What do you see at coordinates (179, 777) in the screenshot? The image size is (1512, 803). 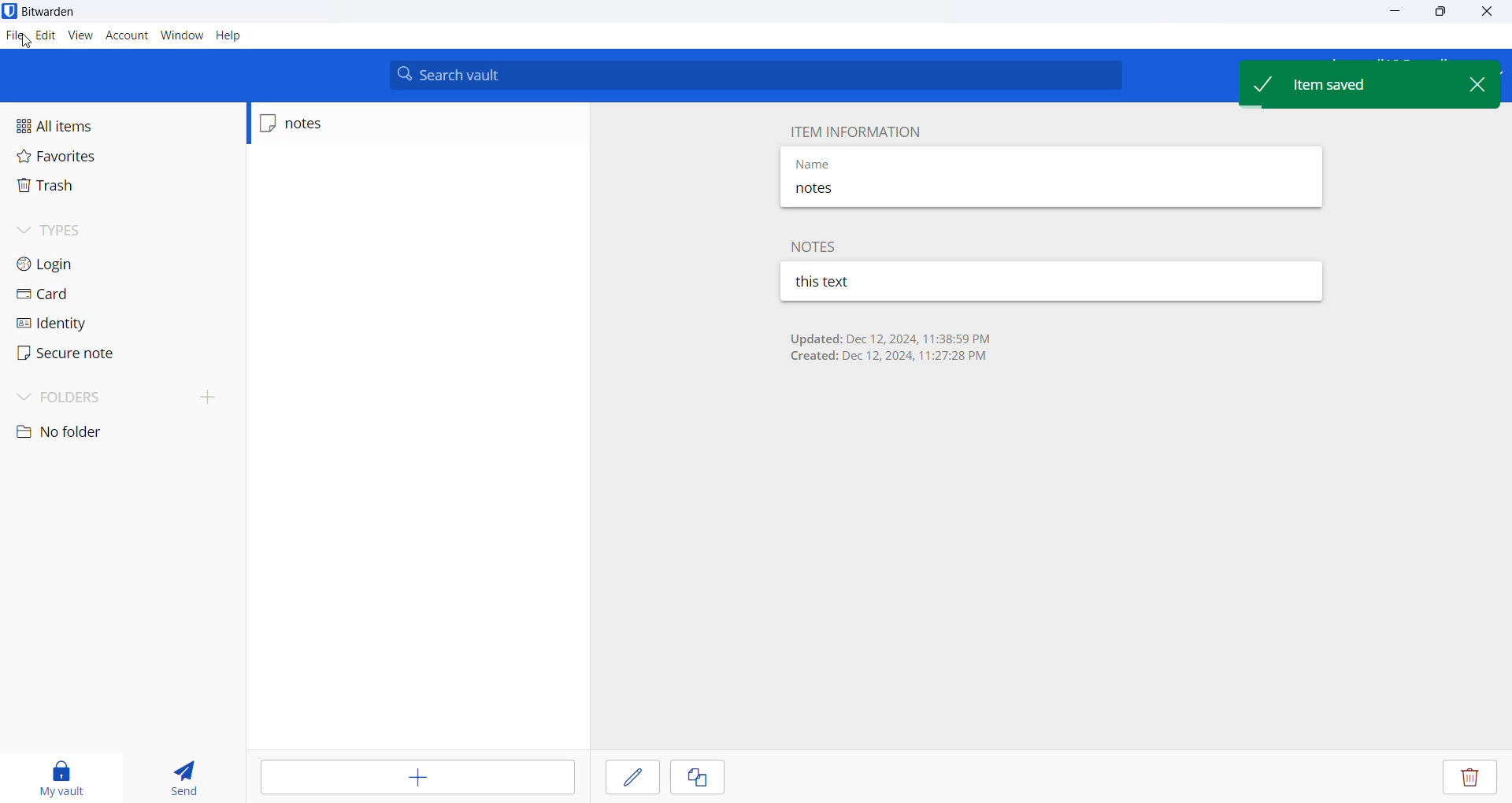 I see `send` at bounding box center [179, 777].